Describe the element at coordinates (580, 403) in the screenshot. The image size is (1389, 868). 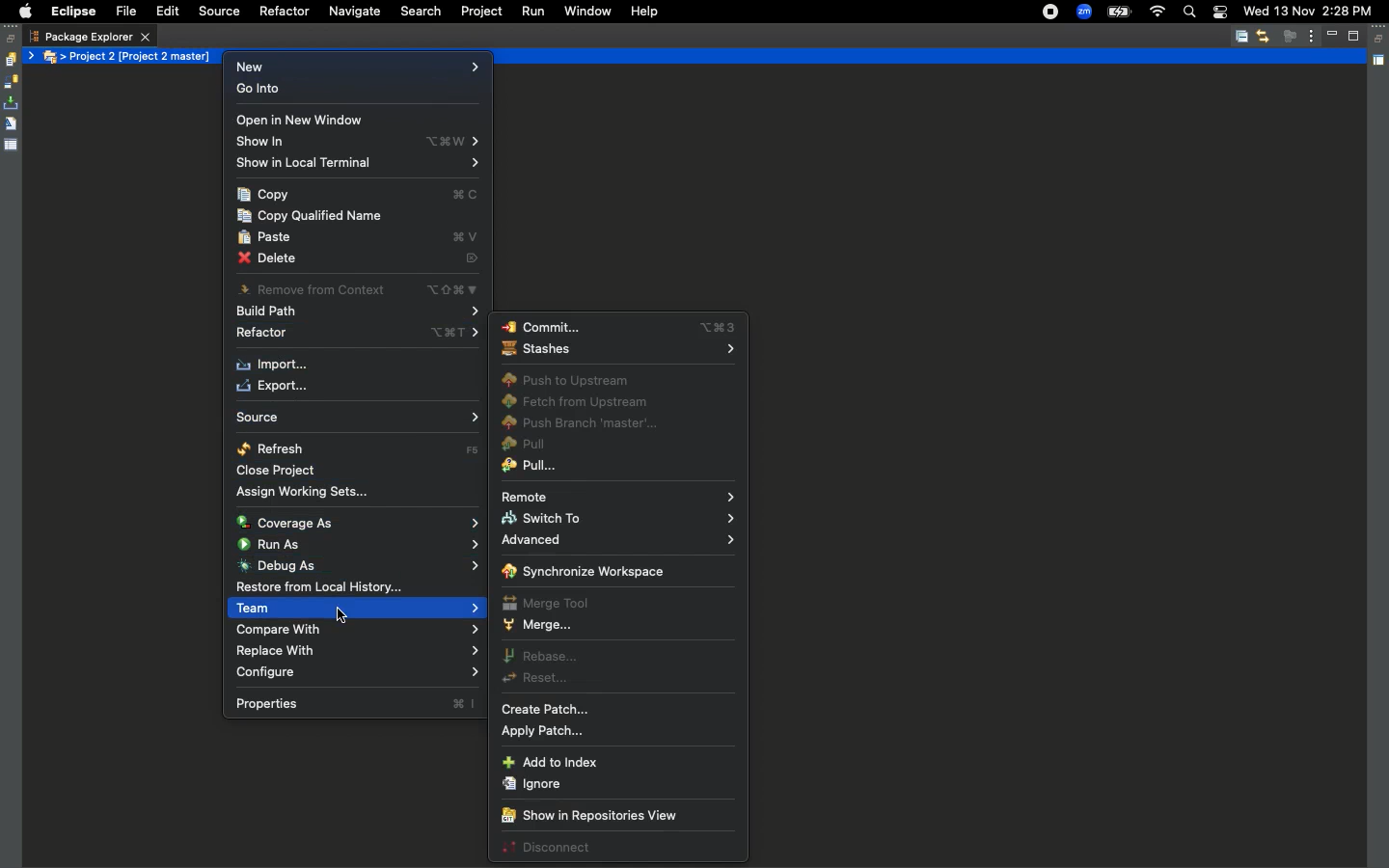
I see `Fetch from upstream` at that location.